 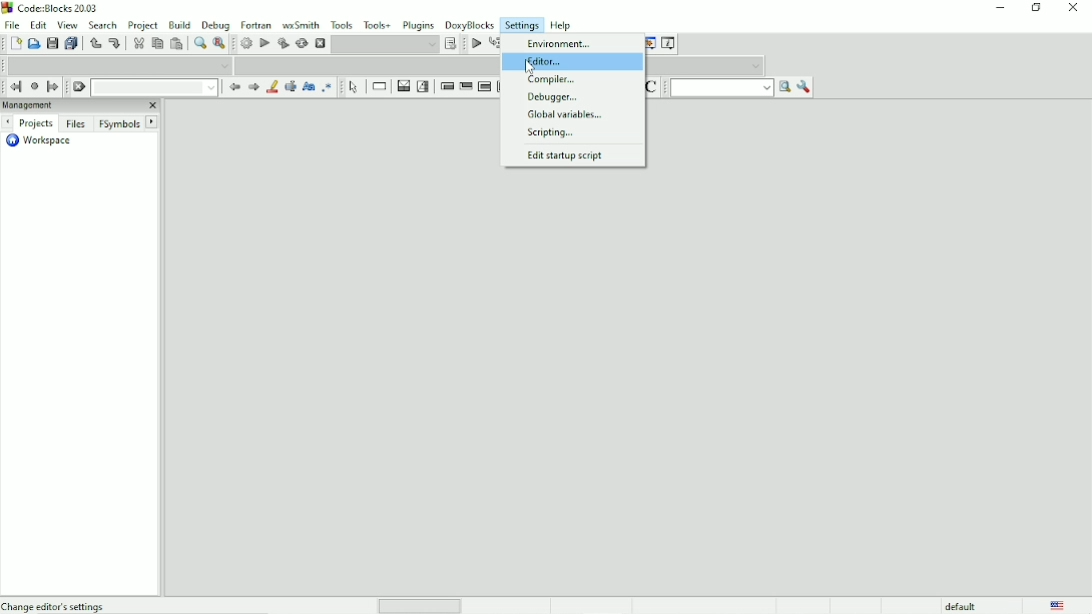 What do you see at coordinates (222, 65) in the screenshot?
I see `Drop down` at bounding box center [222, 65].